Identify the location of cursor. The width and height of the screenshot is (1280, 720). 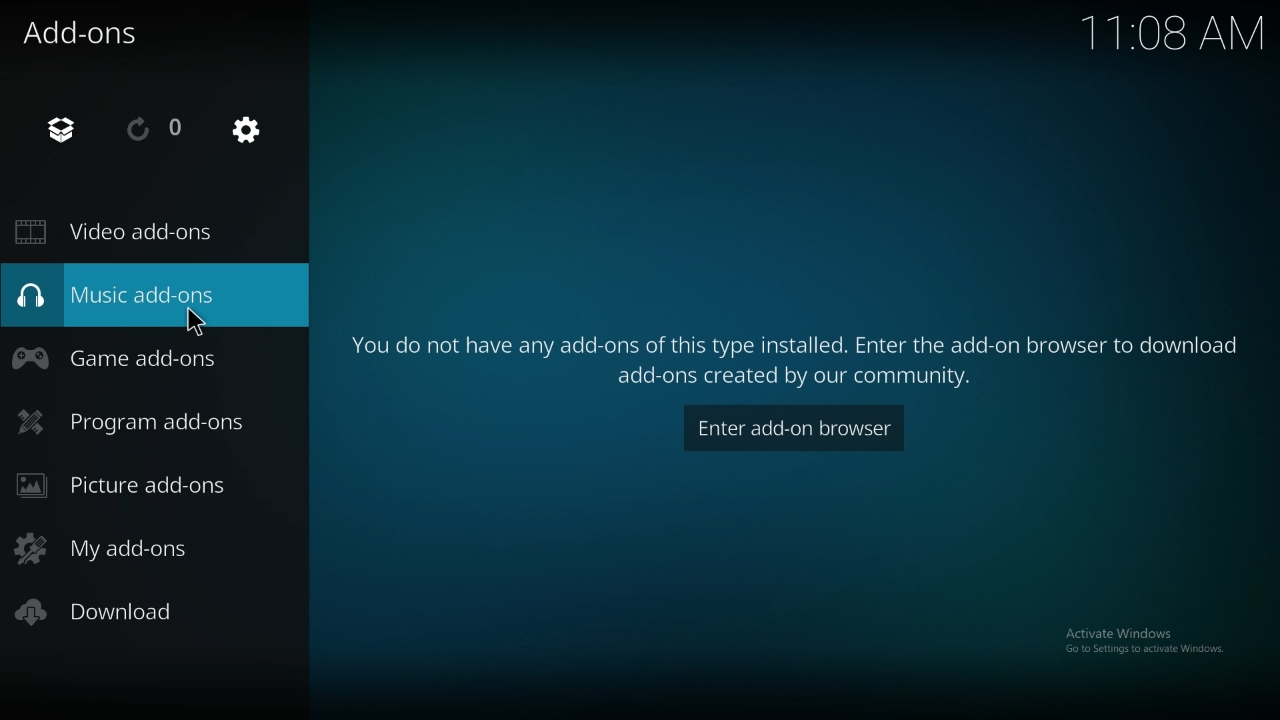
(197, 321).